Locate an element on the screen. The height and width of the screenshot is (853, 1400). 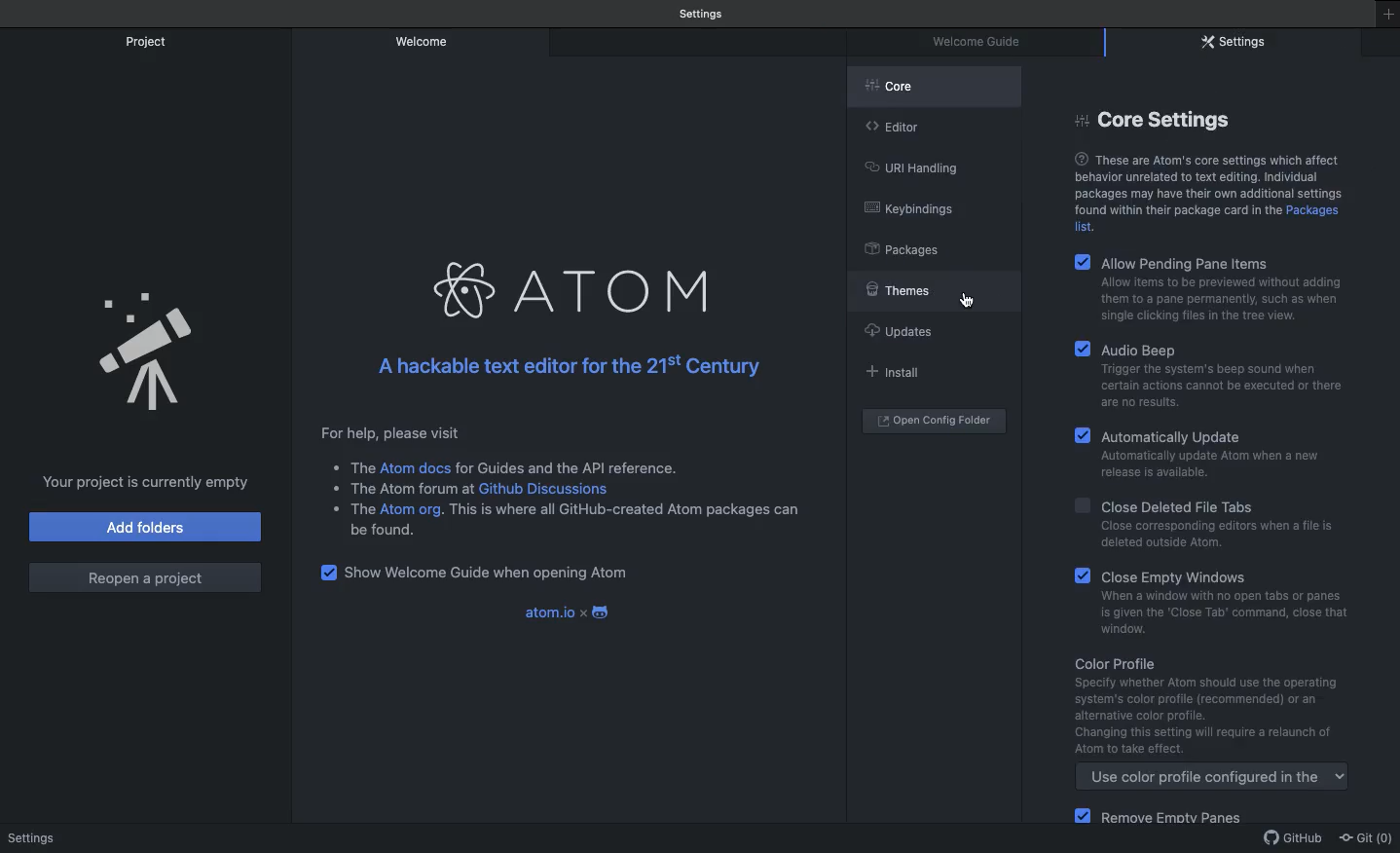
is is where all GitHub-created Atom packages can is located at coordinates (631, 511).